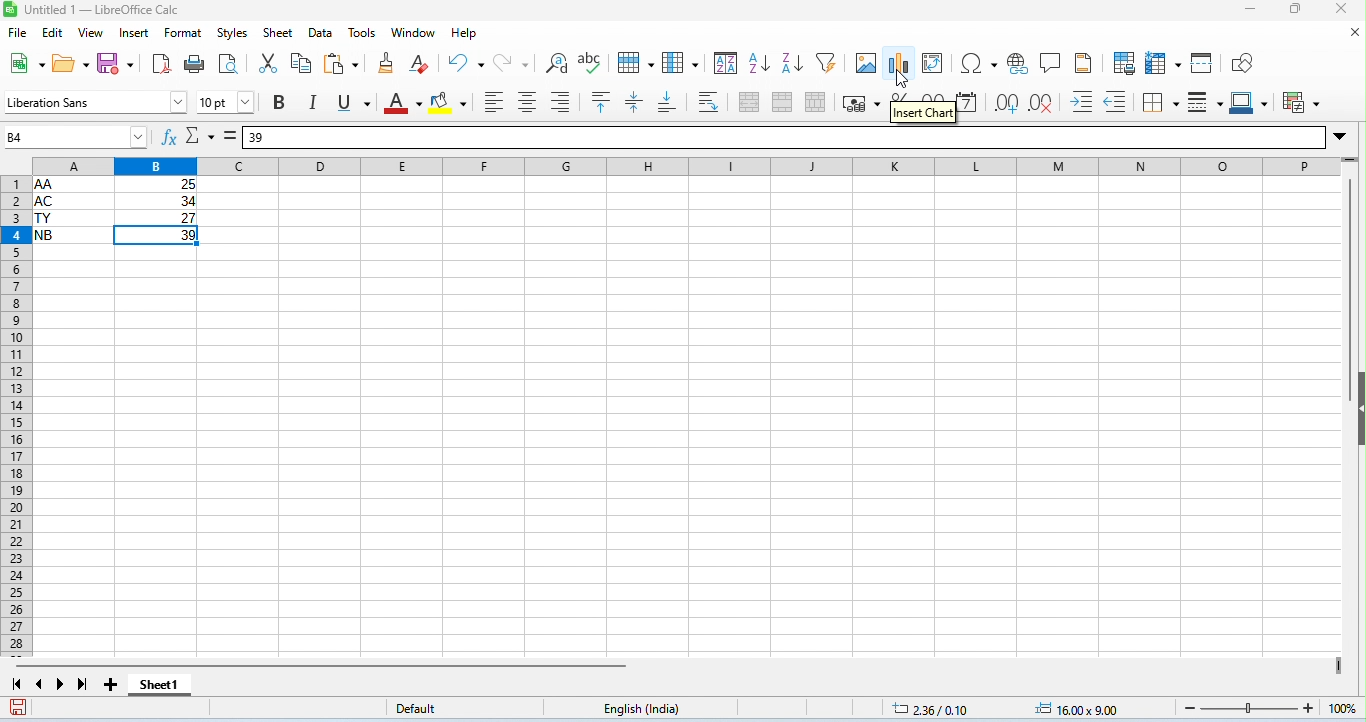 This screenshot has height=722, width=1366. Describe the element at coordinates (979, 63) in the screenshot. I see `insert special characters` at that location.